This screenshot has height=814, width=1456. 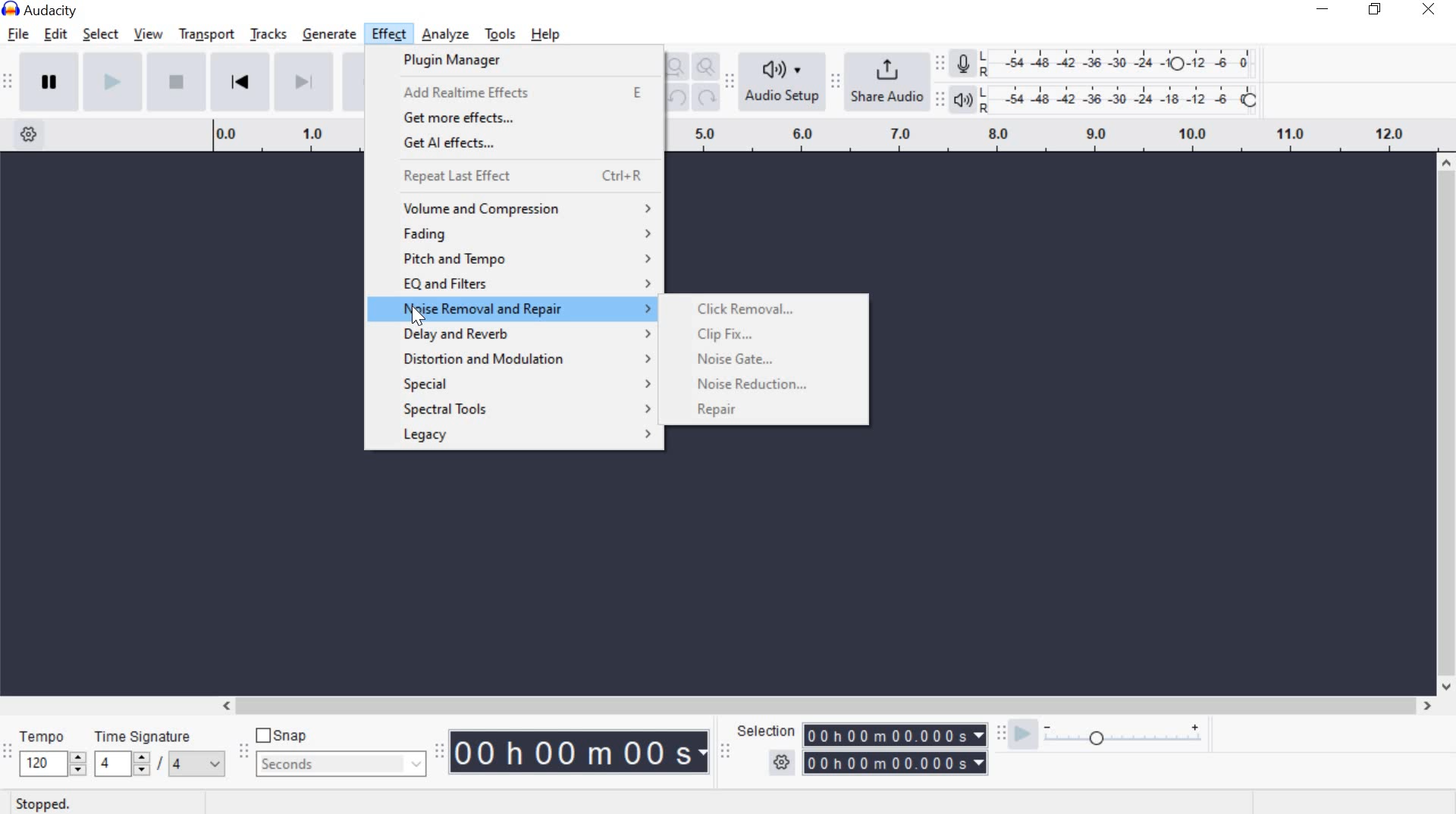 What do you see at coordinates (527, 385) in the screenshot?
I see `special` at bounding box center [527, 385].